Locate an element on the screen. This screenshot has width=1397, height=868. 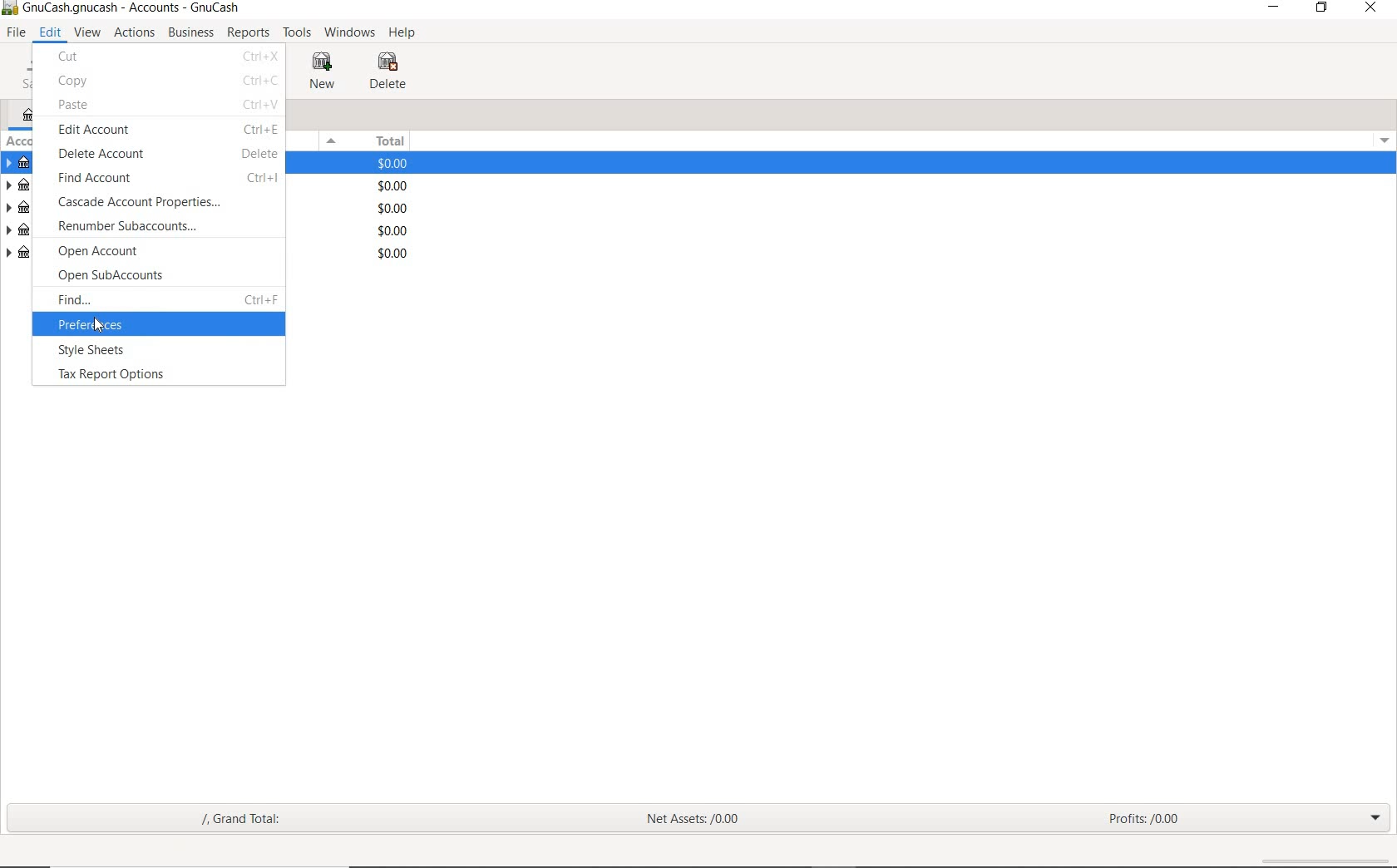
find account is located at coordinates (99, 177).